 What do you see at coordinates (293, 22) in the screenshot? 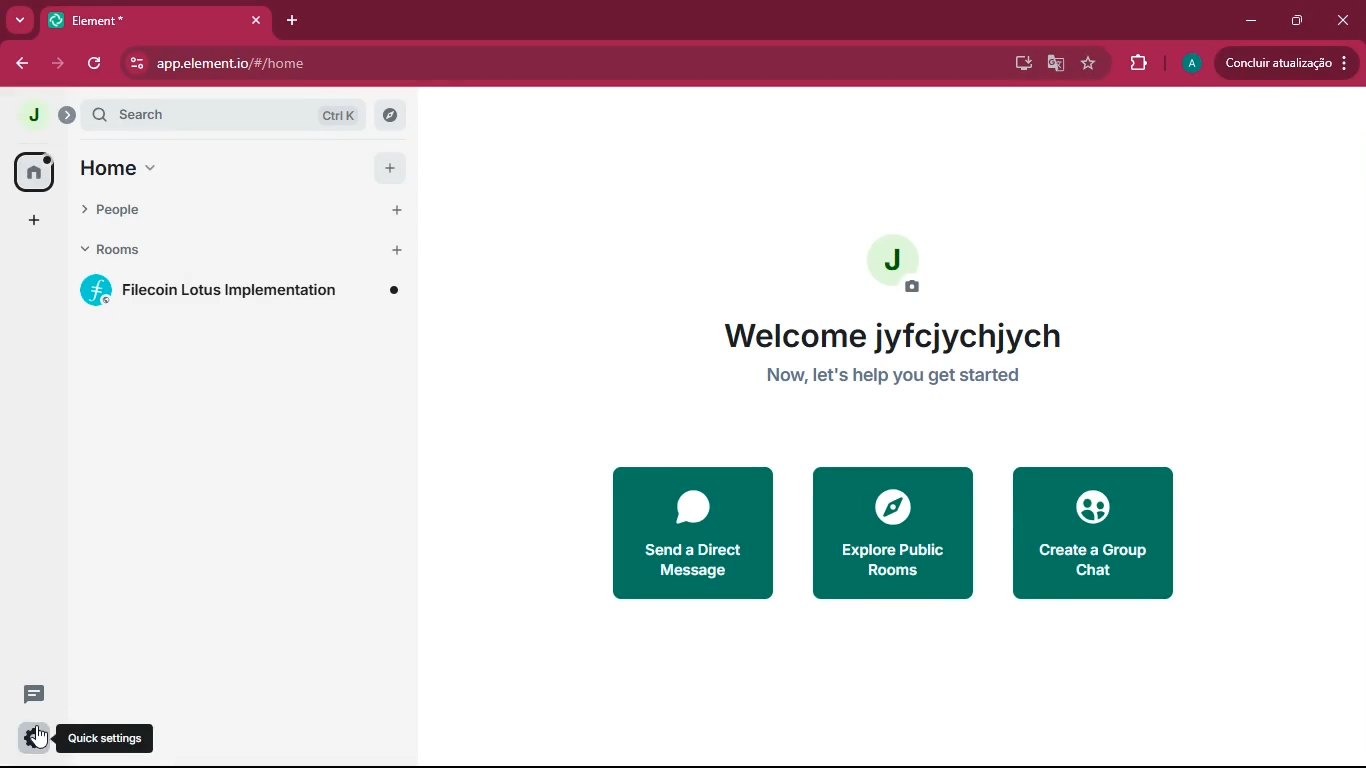
I see `add tab` at bounding box center [293, 22].